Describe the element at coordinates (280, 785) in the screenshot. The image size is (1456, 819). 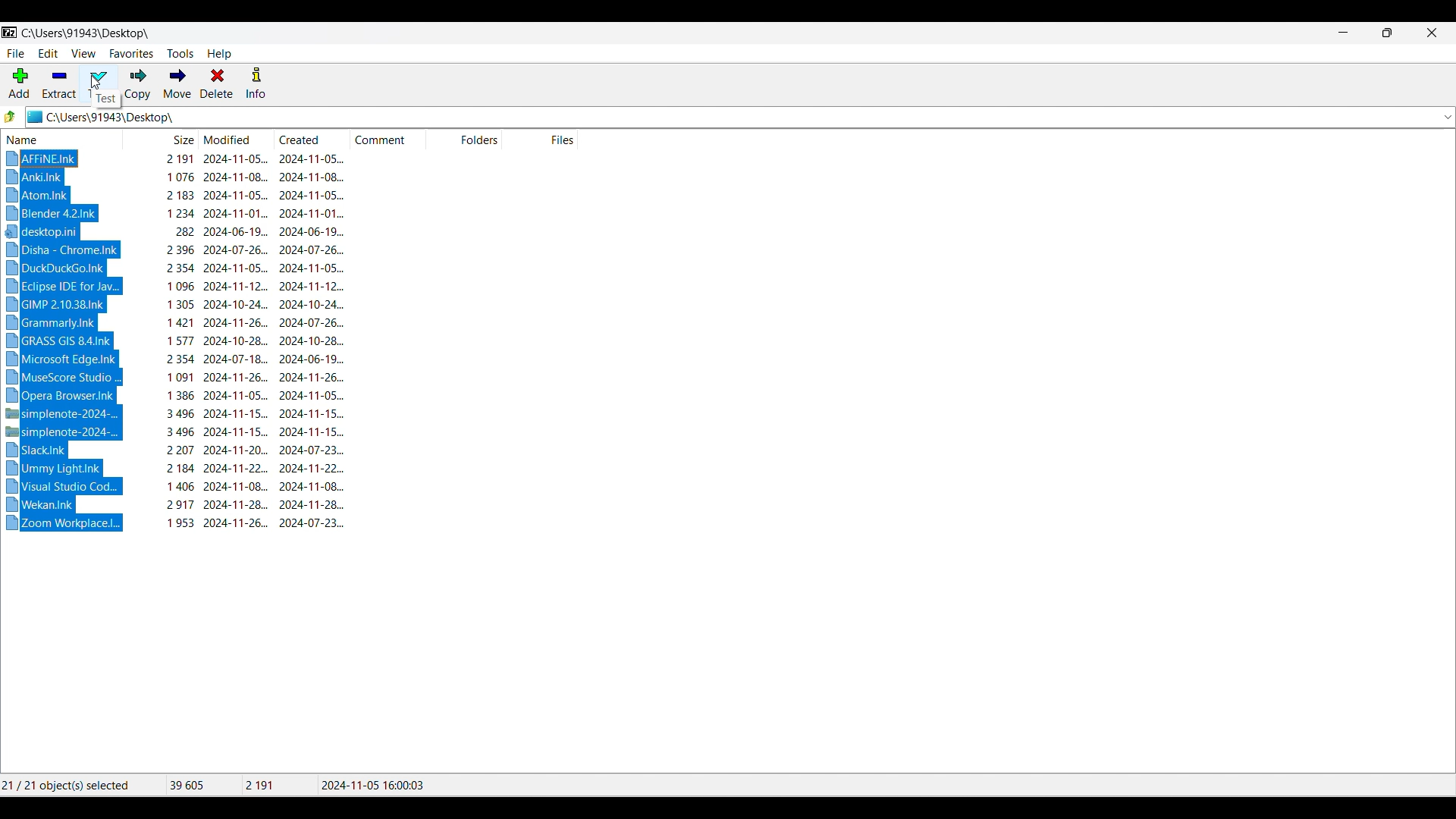
I see `File size of first file in folder` at that location.